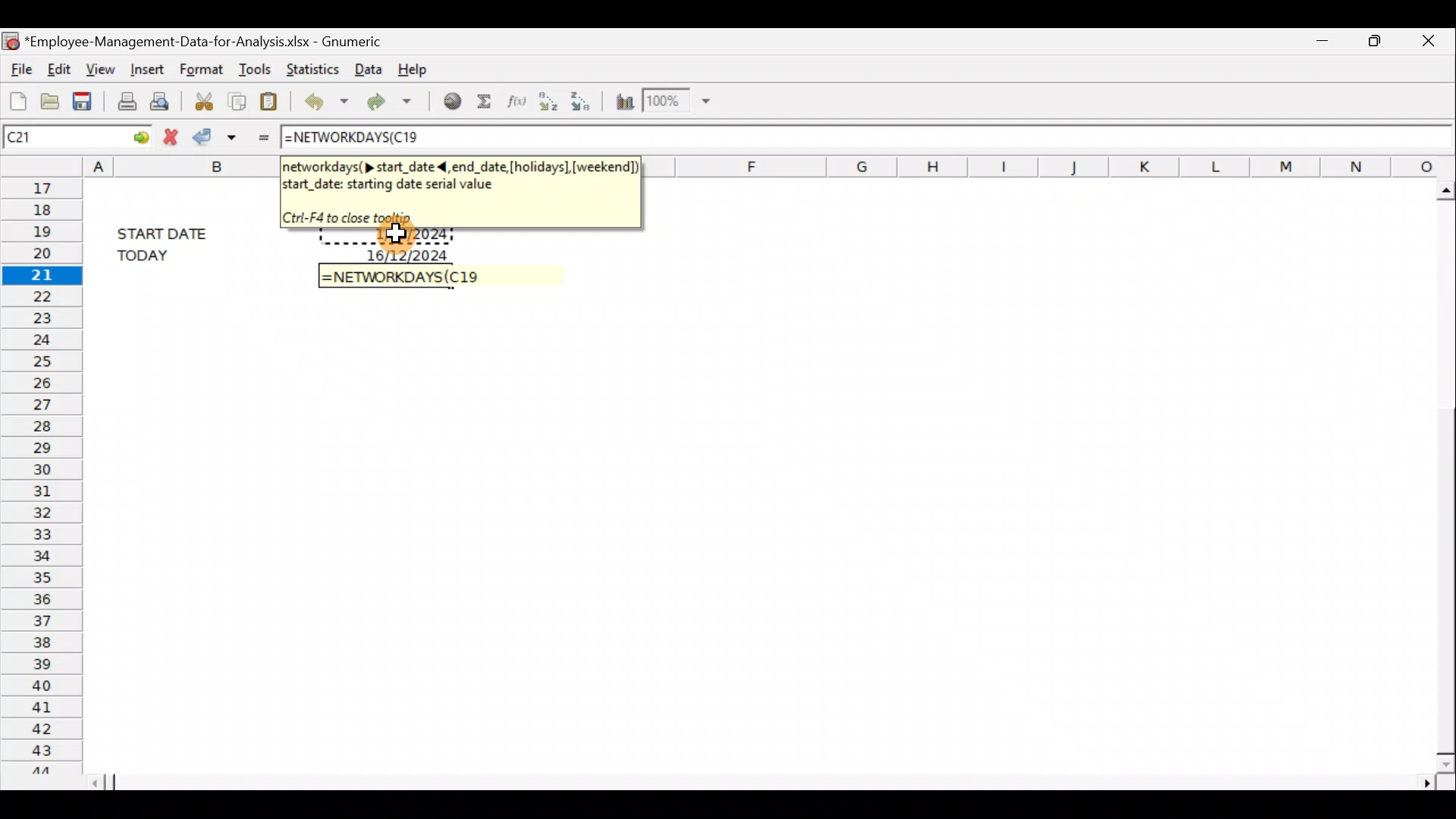 The image size is (1456, 819). I want to click on Cut the selection, so click(204, 99).